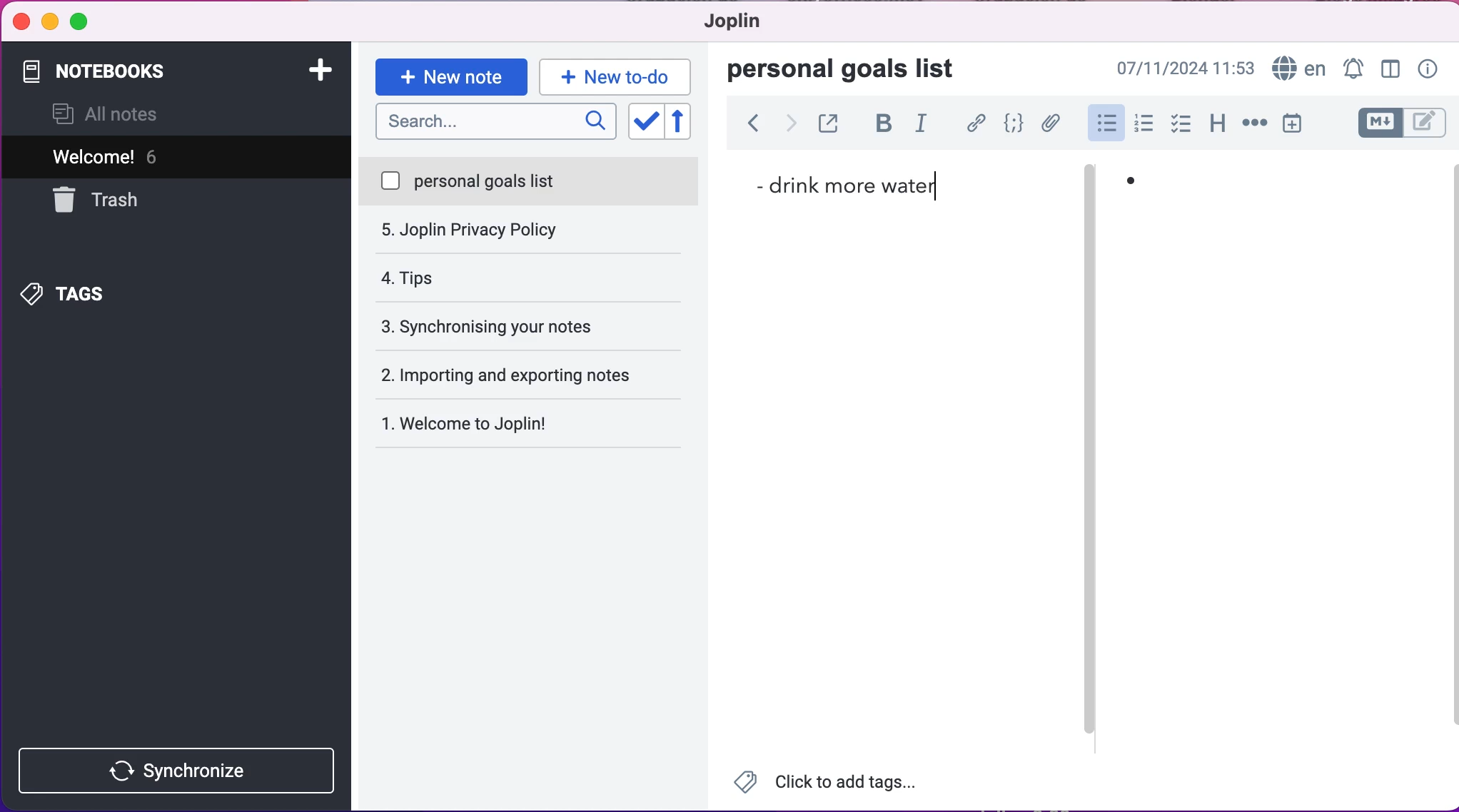 The width and height of the screenshot is (1459, 812). What do you see at coordinates (21, 21) in the screenshot?
I see `close` at bounding box center [21, 21].